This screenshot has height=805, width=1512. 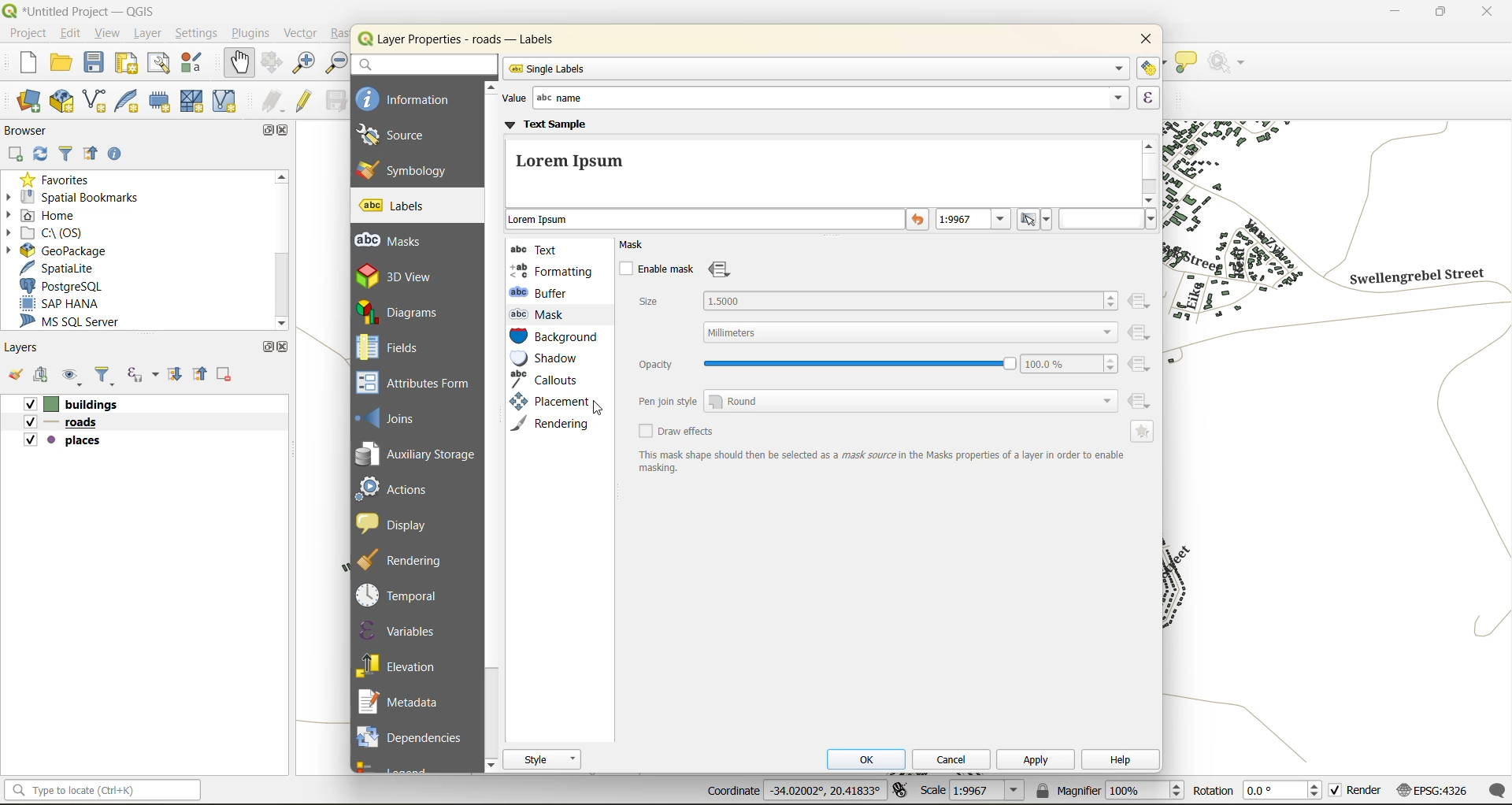 I want to click on maximize, so click(x=1440, y=15).